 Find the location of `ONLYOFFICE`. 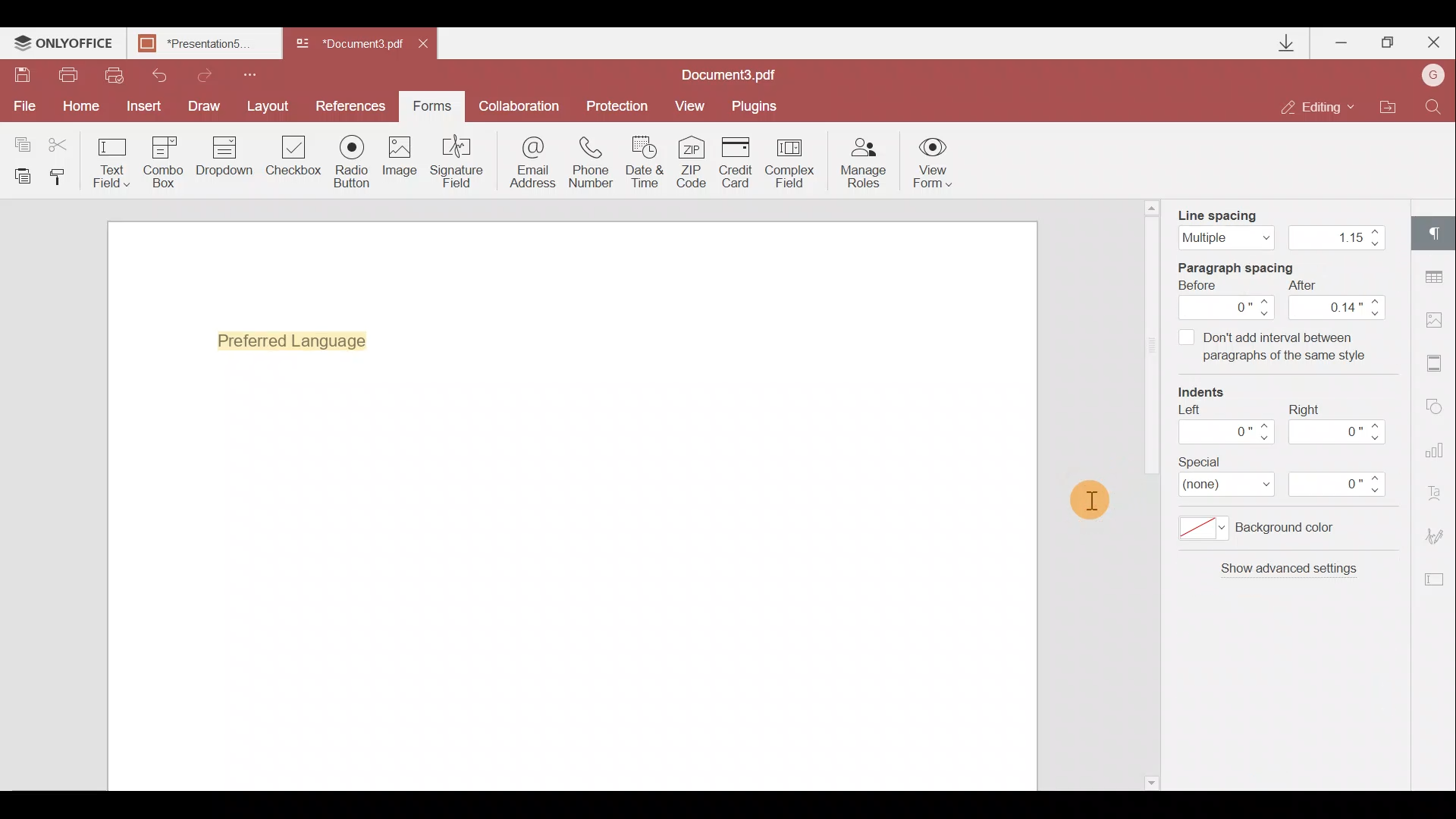

ONLYOFFICE is located at coordinates (64, 45).